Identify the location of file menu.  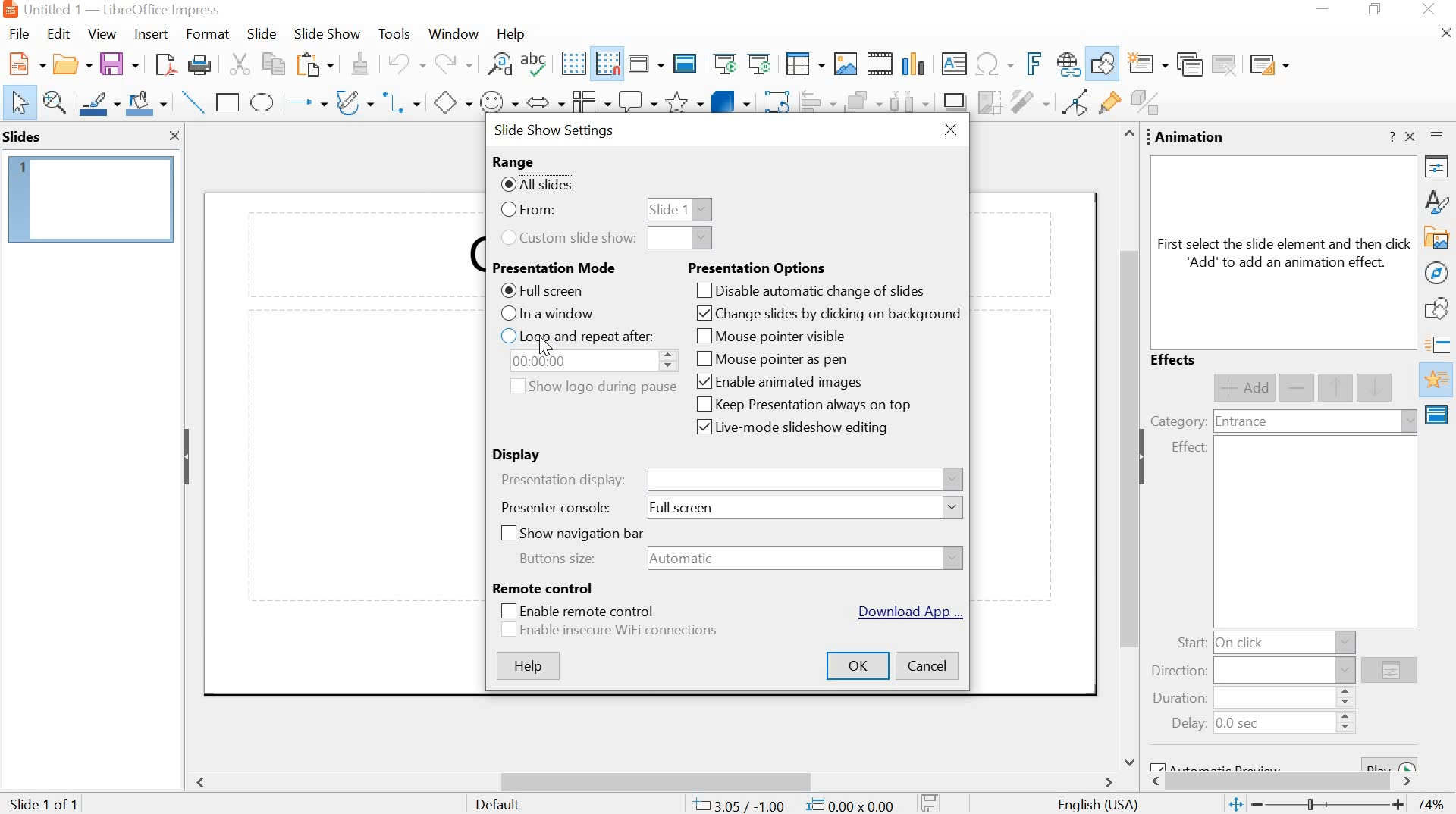
(24, 33).